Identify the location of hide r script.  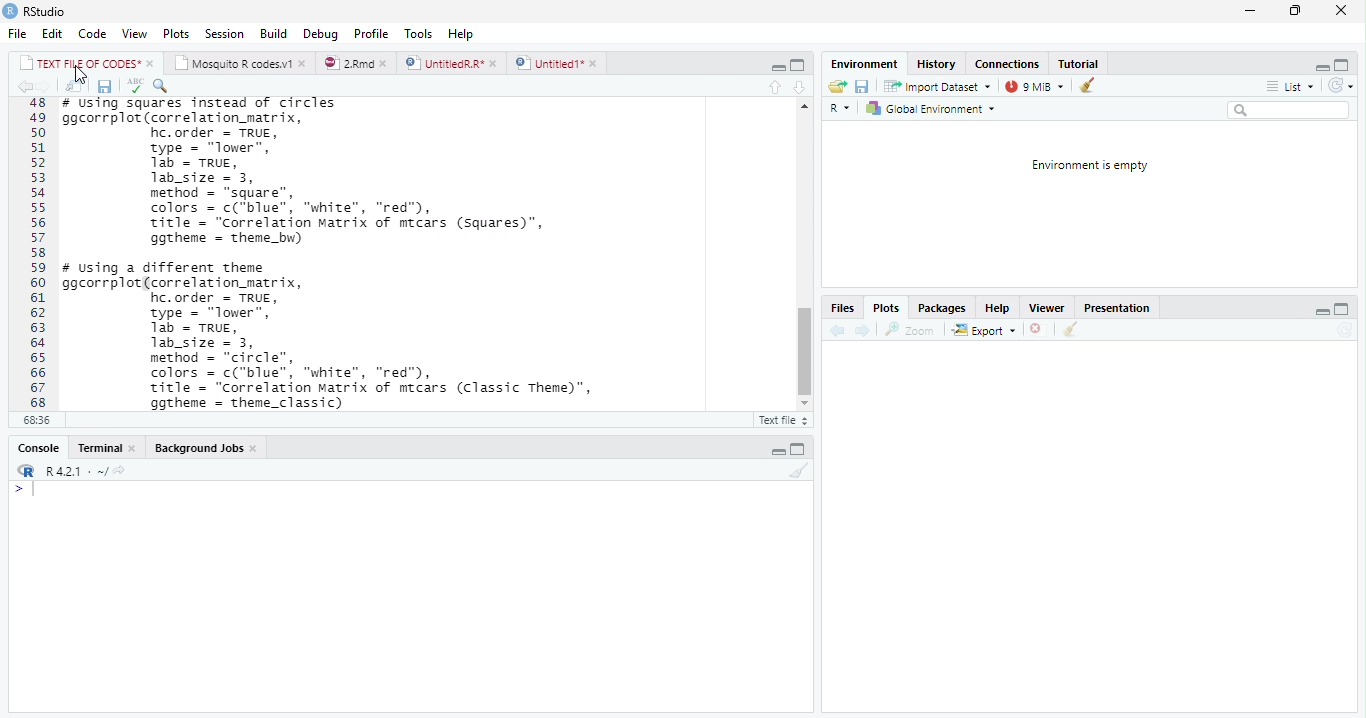
(1322, 311).